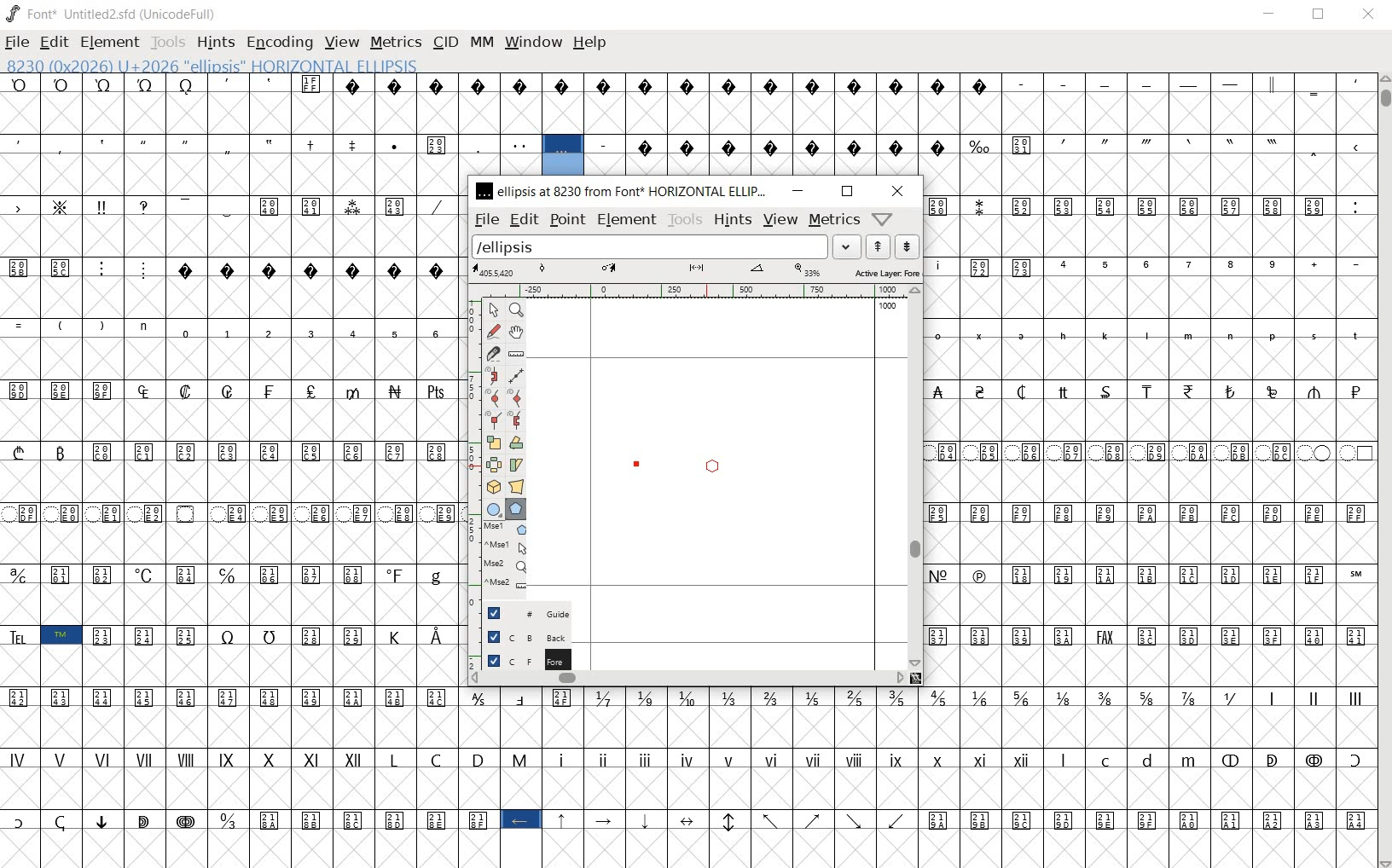 This screenshot has height=868, width=1392. I want to click on VIEW, so click(340, 43).